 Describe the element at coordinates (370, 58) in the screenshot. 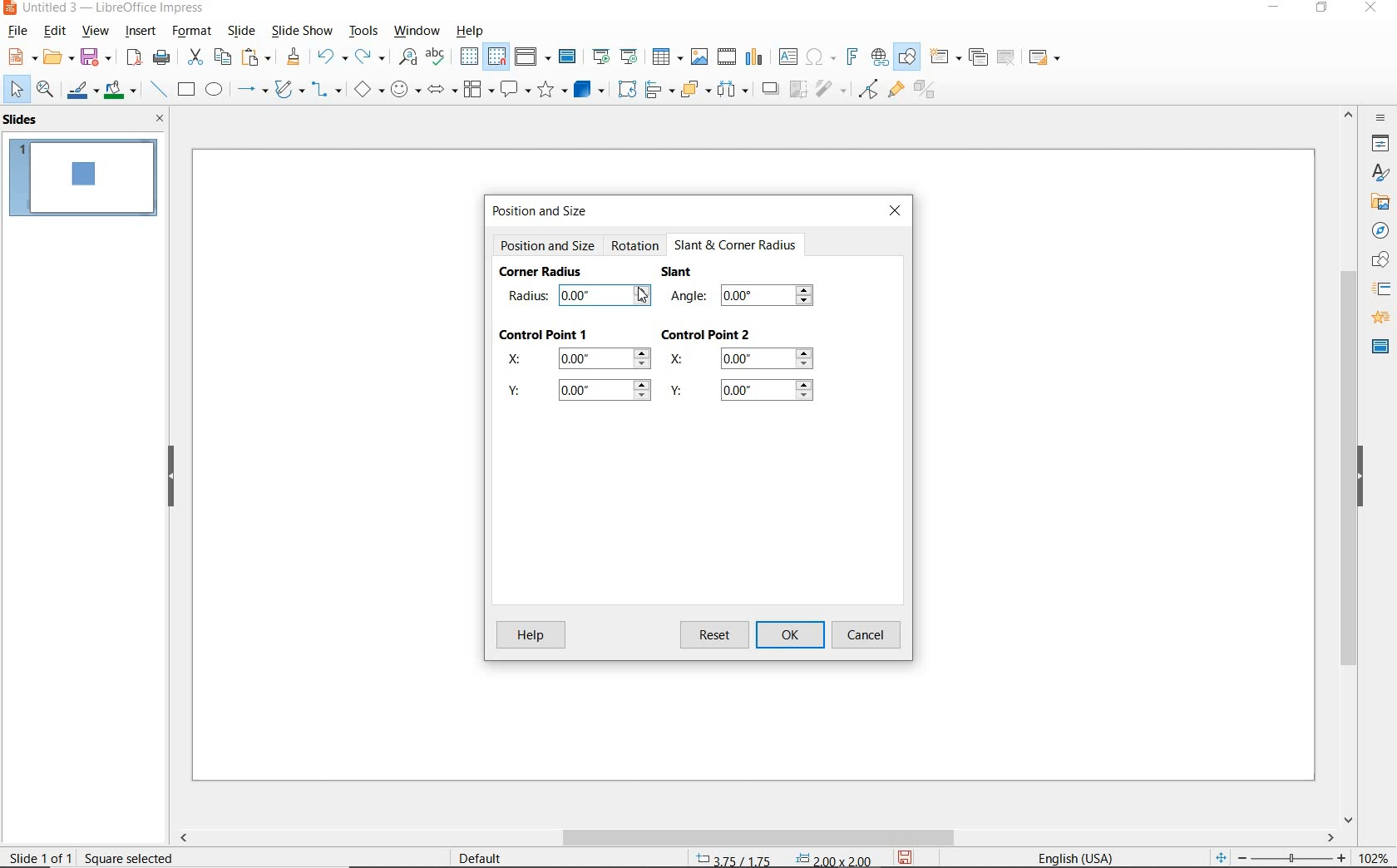

I see `redo` at that location.